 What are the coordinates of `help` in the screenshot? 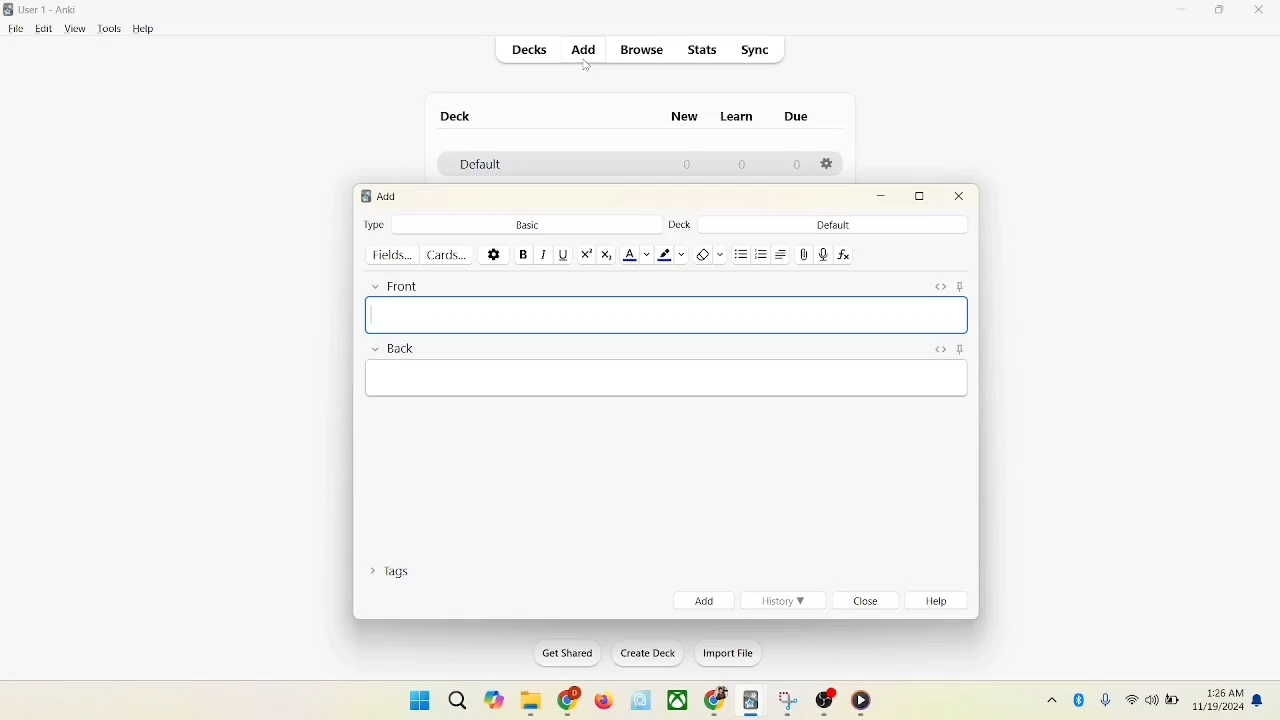 It's located at (941, 603).